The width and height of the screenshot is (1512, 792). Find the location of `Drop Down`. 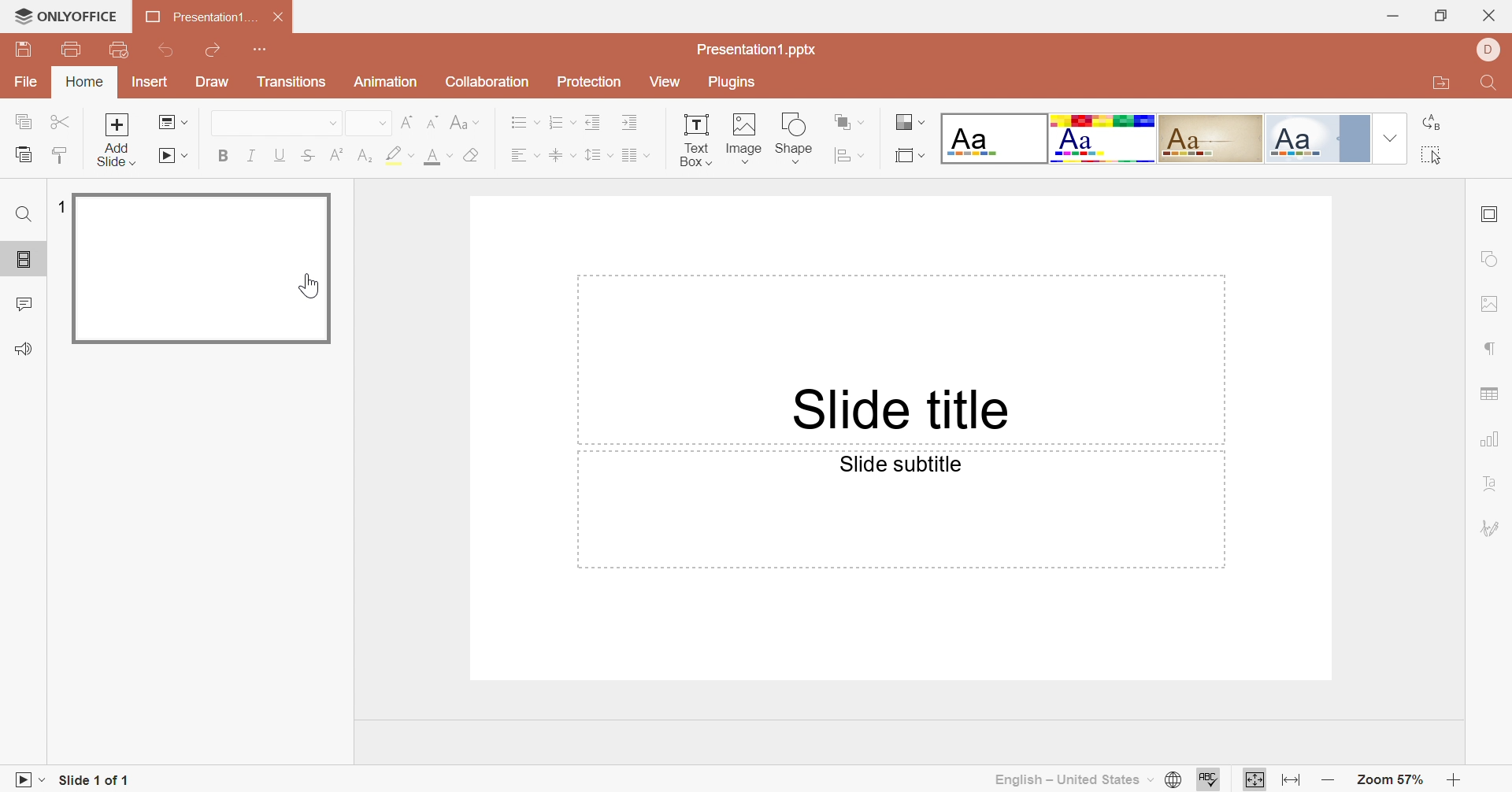

Drop Down is located at coordinates (187, 156).